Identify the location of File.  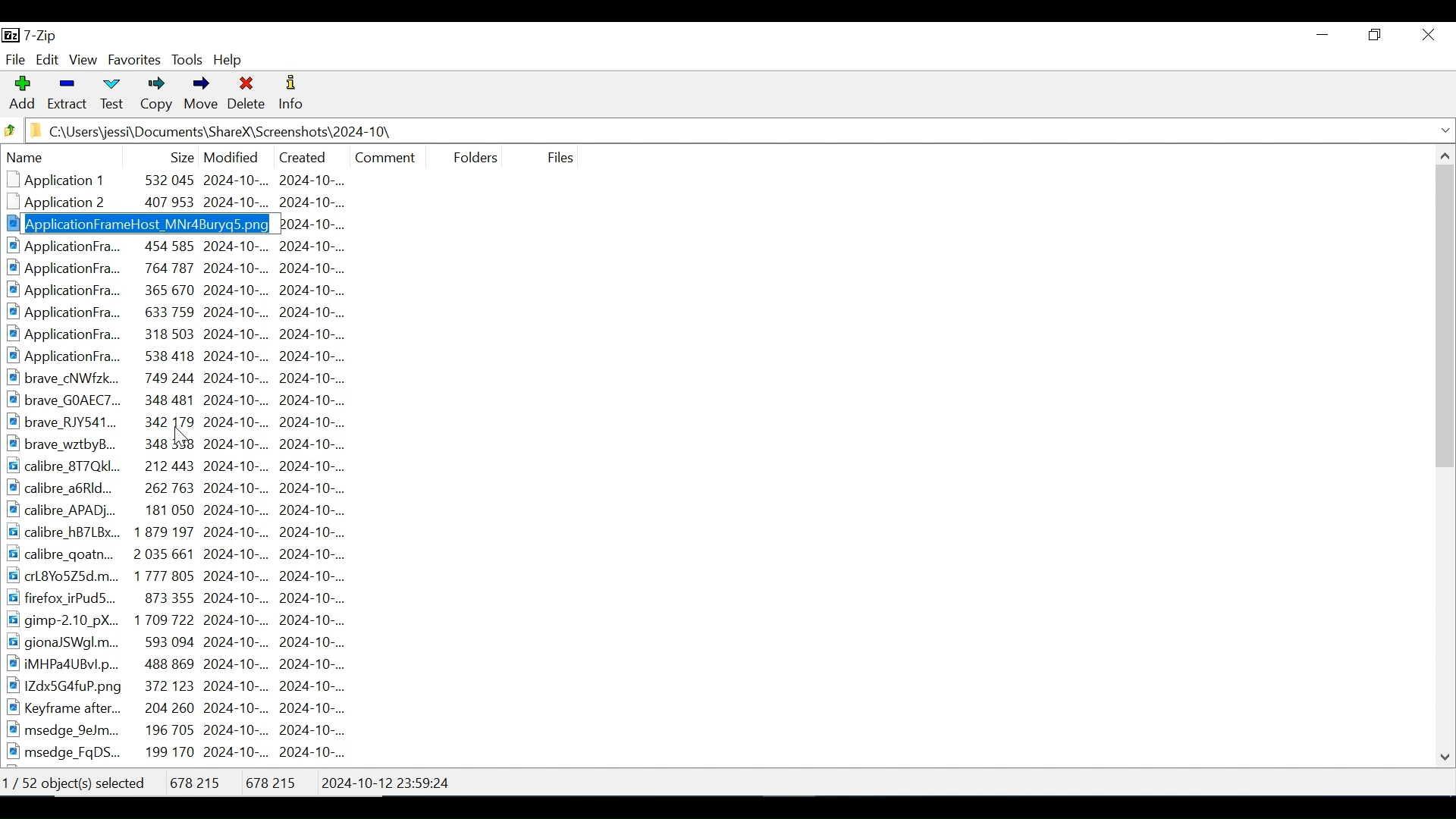
(558, 157).